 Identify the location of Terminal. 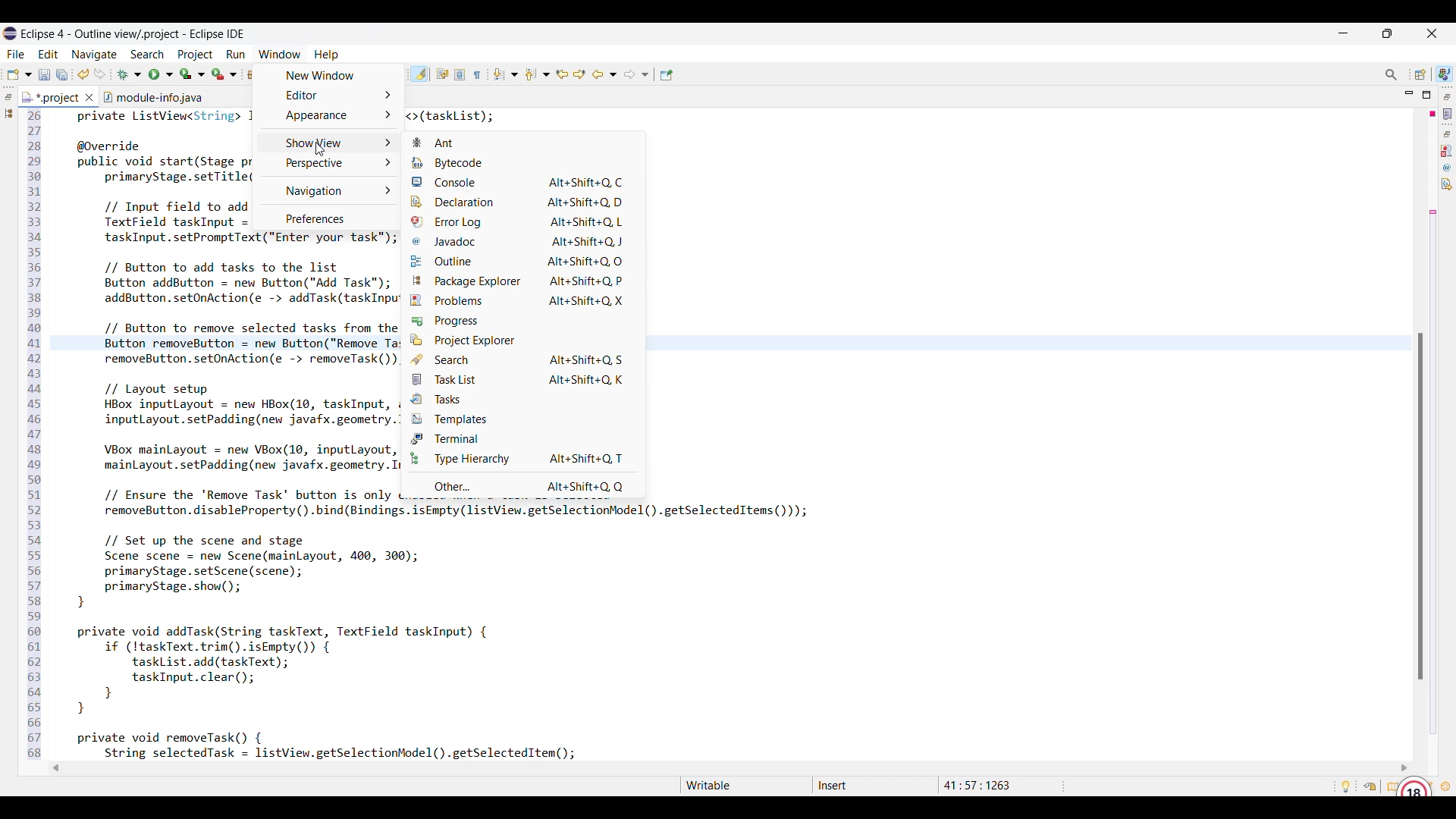
(522, 438).